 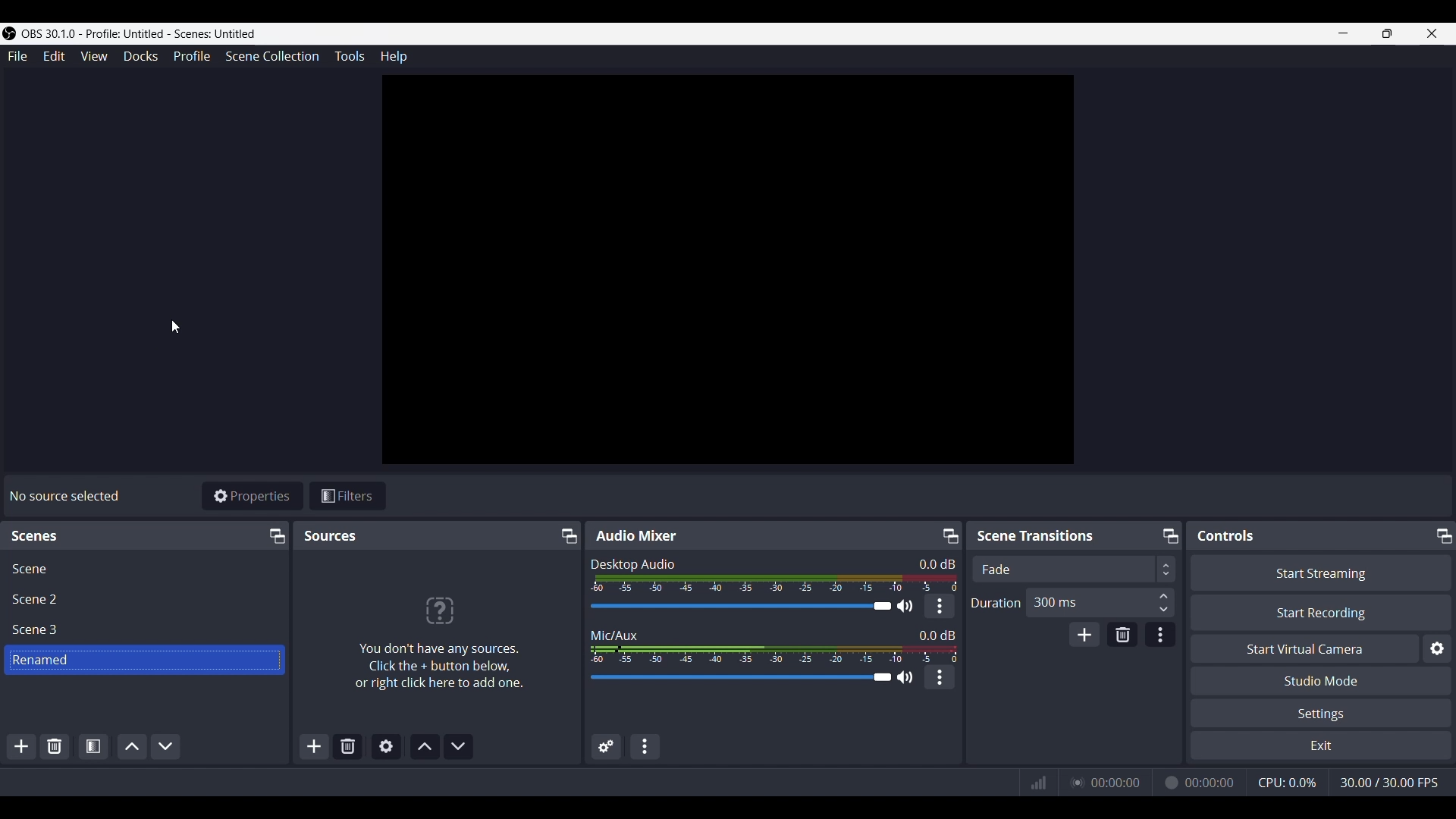 I want to click on Move source(s) down, so click(x=457, y=745).